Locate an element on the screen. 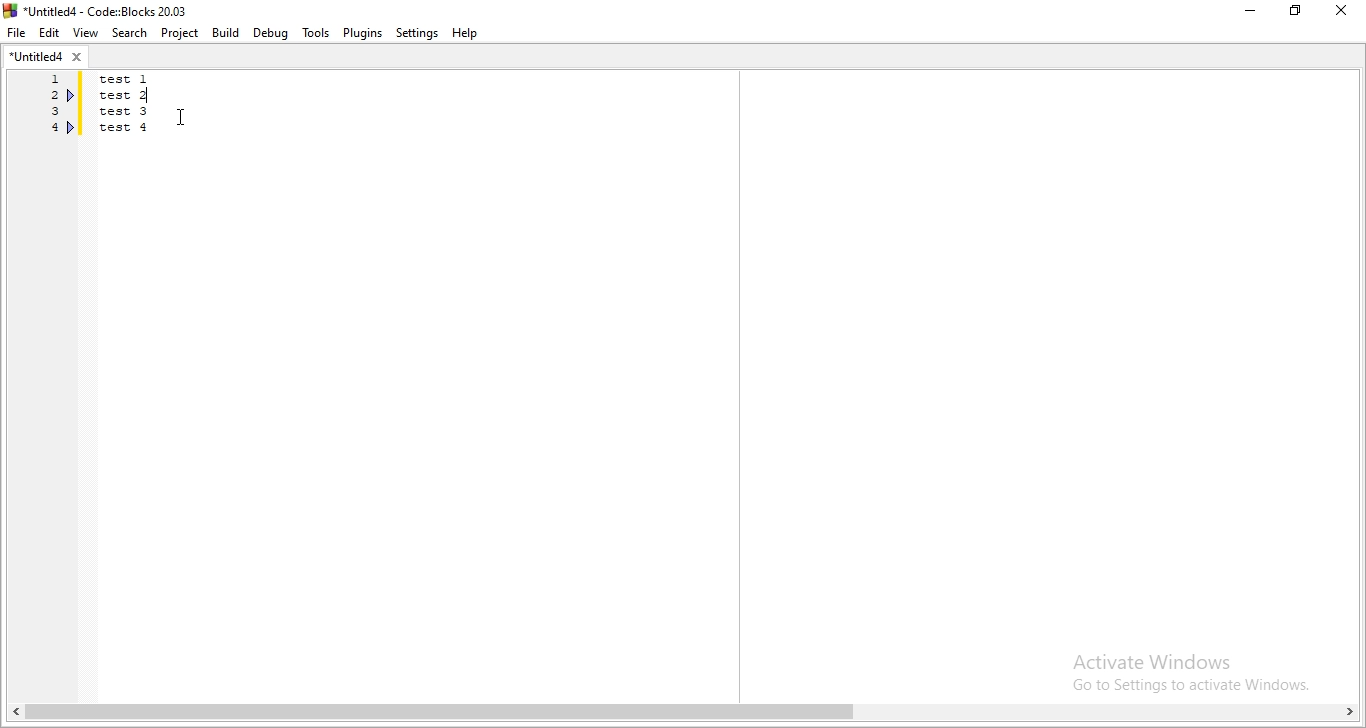 The width and height of the screenshot is (1366, 728). Plugins  is located at coordinates (363, 33).